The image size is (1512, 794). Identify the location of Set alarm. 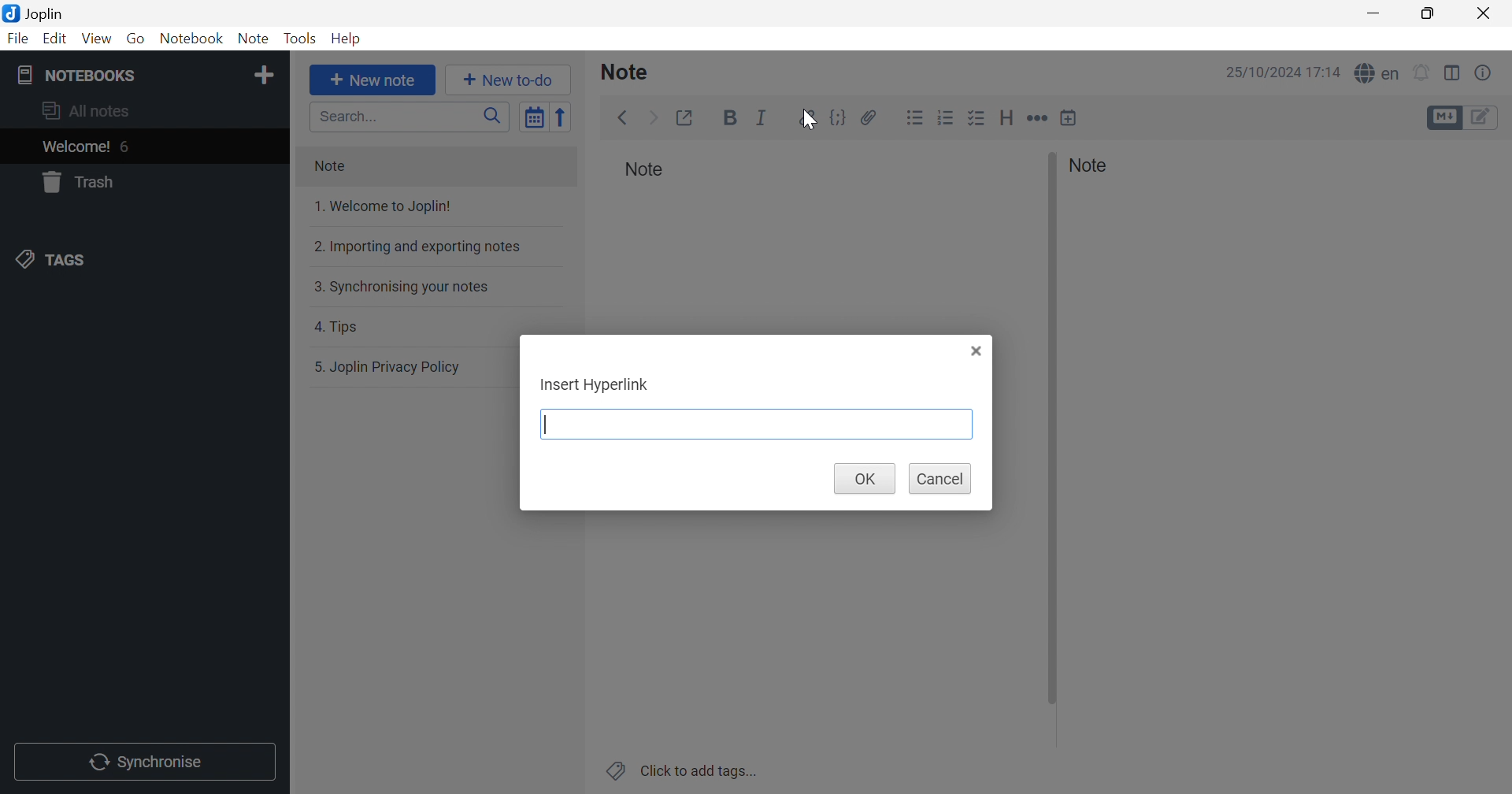
(1423, 71).